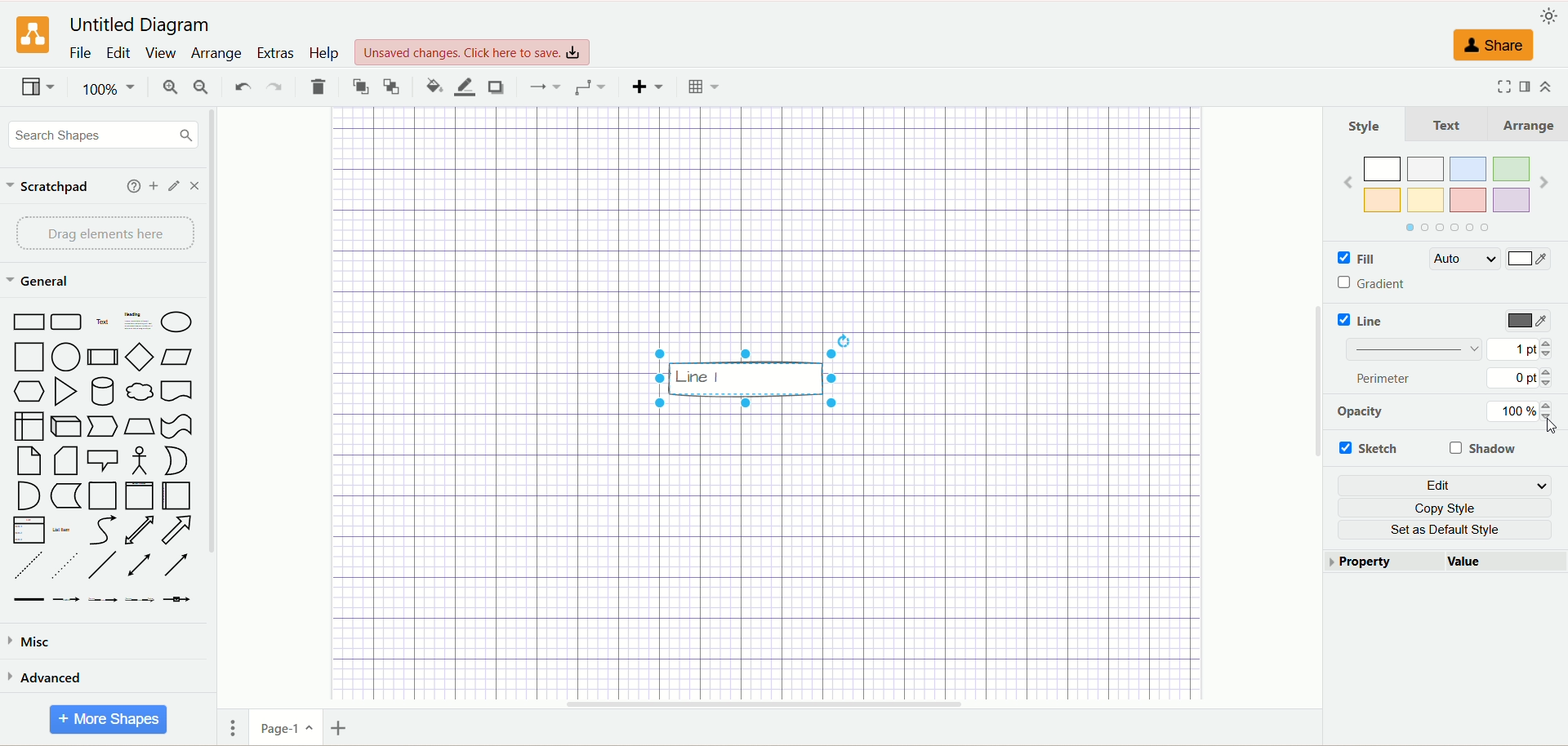  I want to click on 100%, so click(106, 89).